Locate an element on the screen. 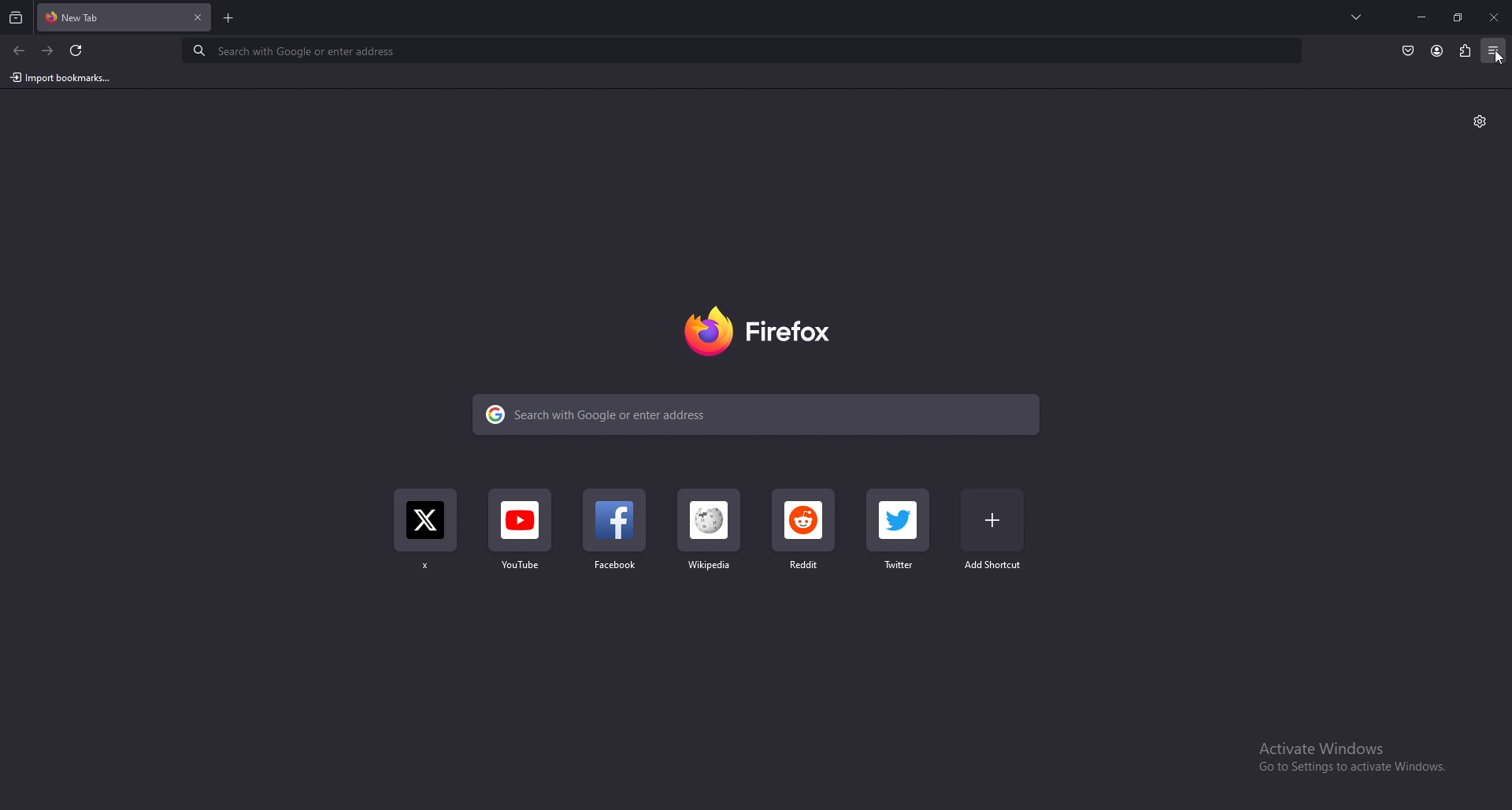  wikipedia is located at coordinates (707, 536).